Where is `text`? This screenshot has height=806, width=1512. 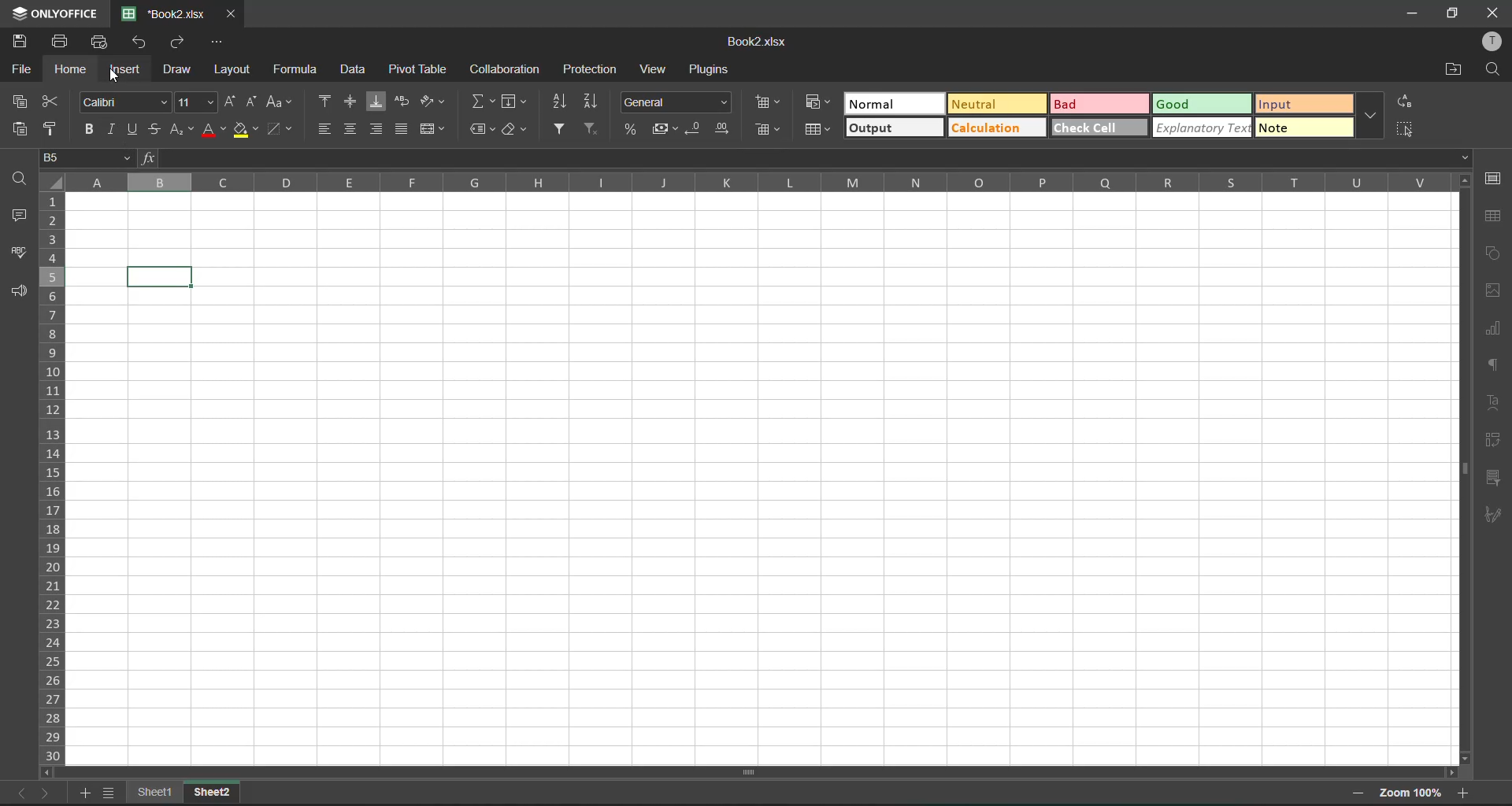 text is located at coordinates (1495, 404).